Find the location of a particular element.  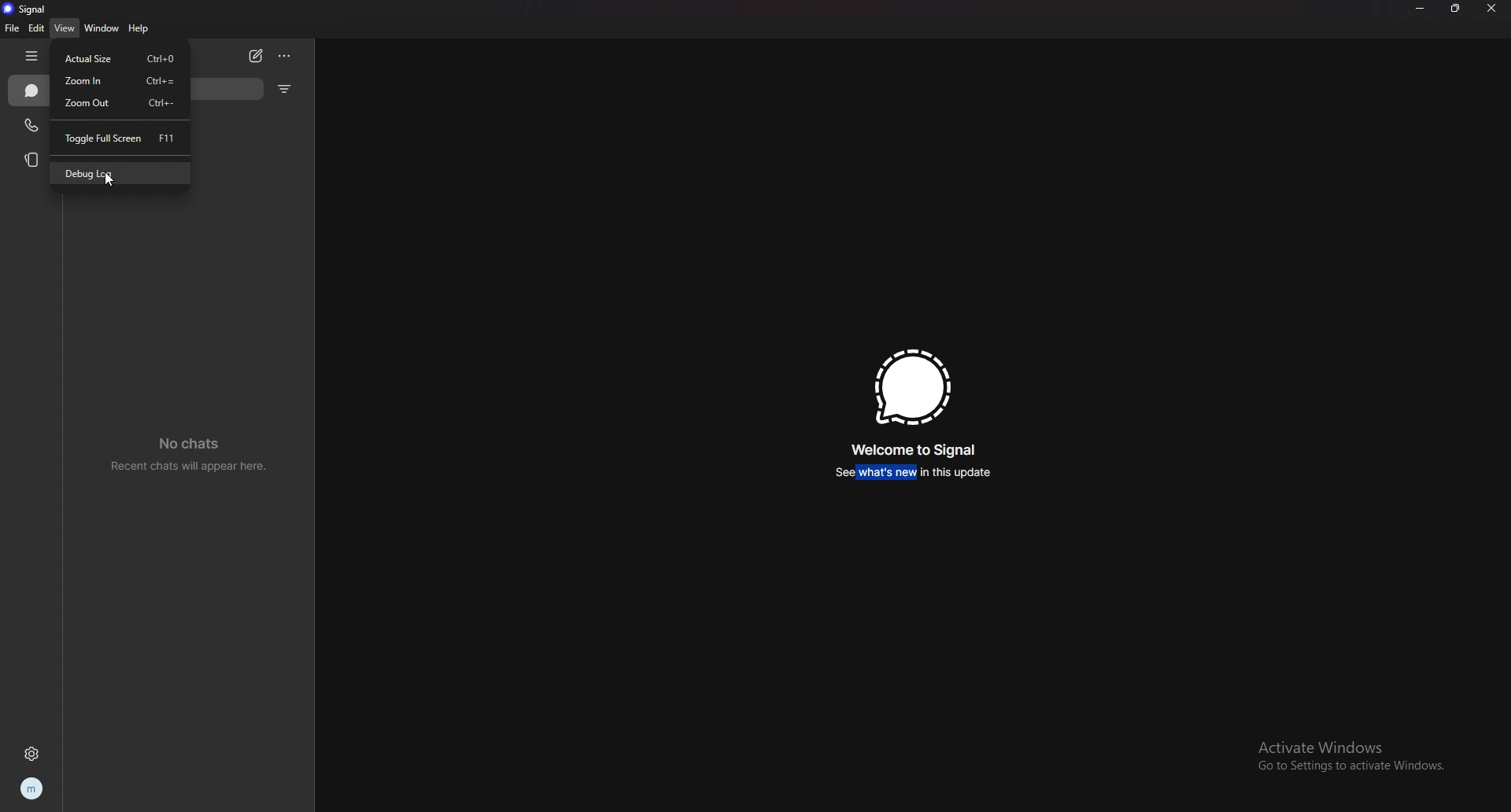

options is located at coordinates (284, 56).